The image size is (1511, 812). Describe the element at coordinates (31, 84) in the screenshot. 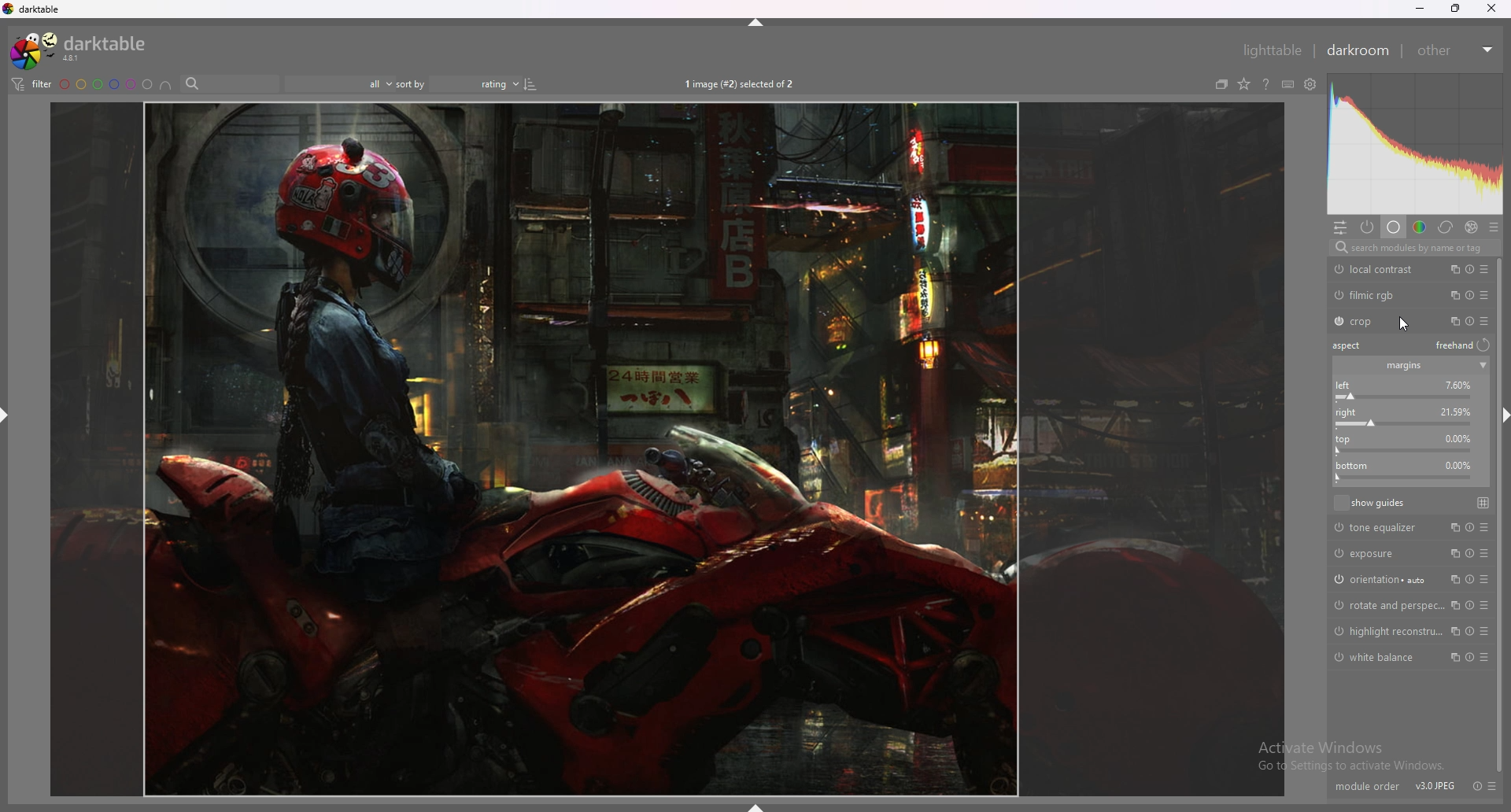

I see `filter` at that location.